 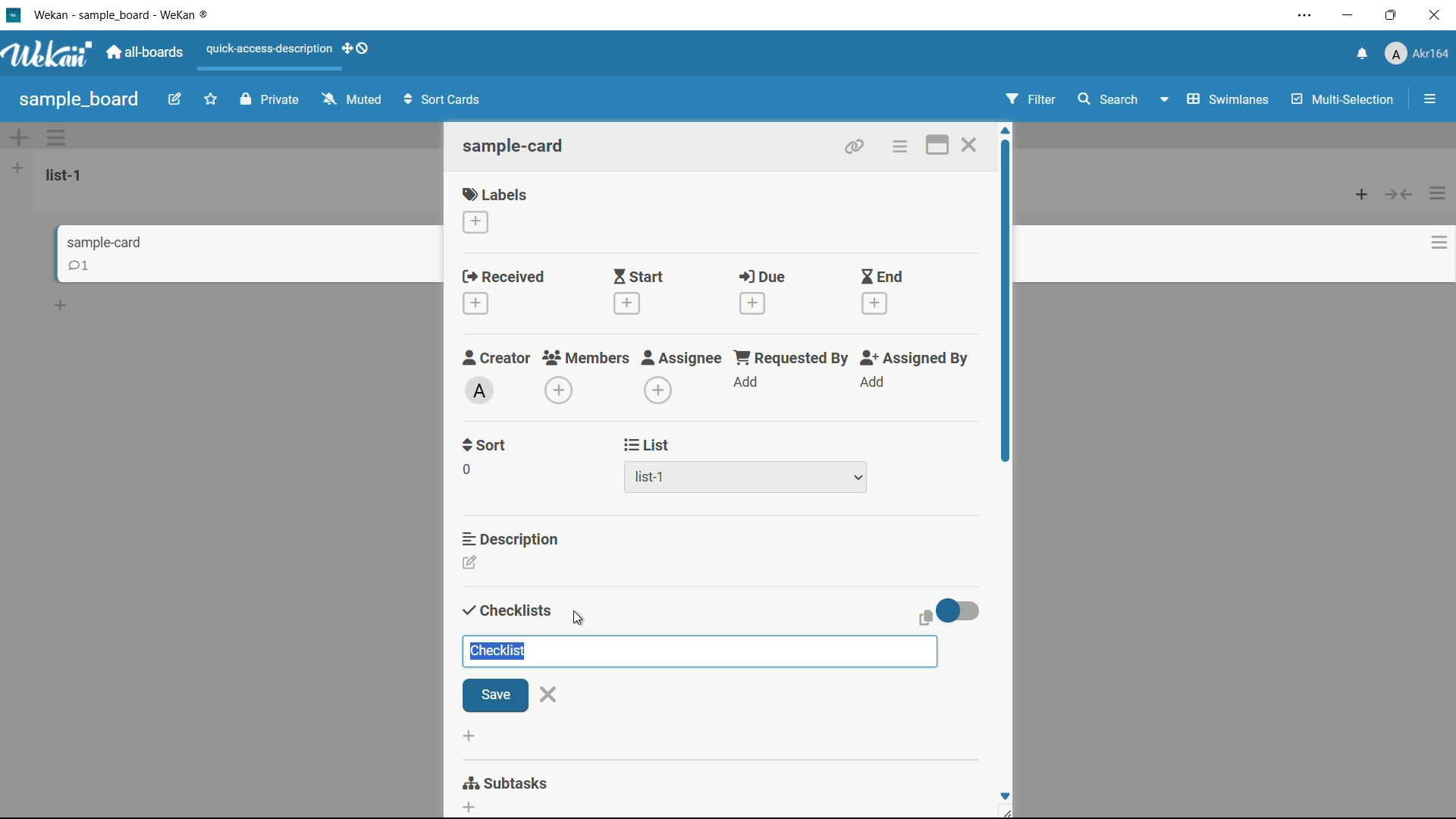 I want to click on requested by, so click(x=792, y=358).